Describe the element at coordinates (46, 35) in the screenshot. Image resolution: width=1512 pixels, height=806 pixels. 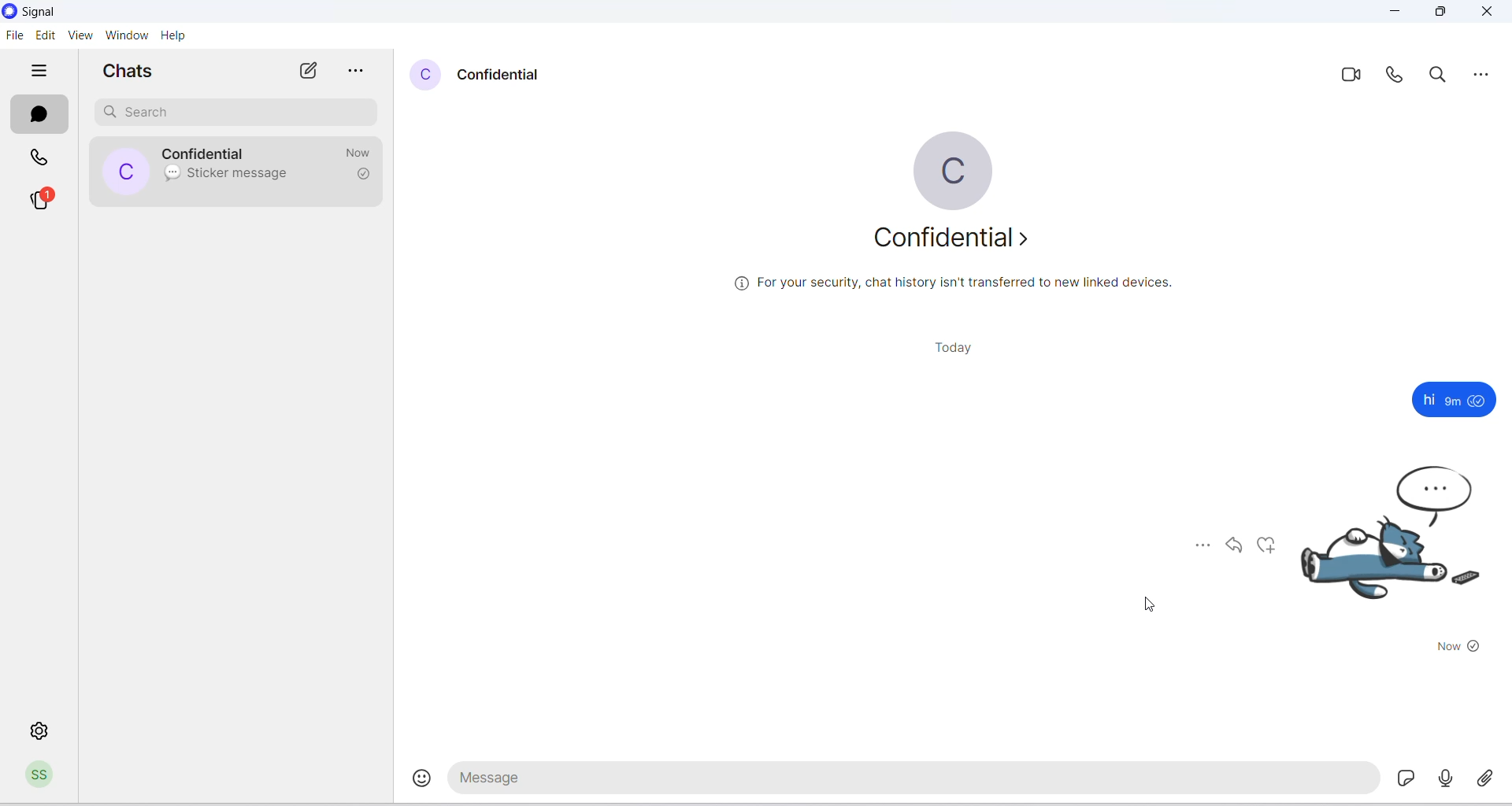
I see `edit` at that location.